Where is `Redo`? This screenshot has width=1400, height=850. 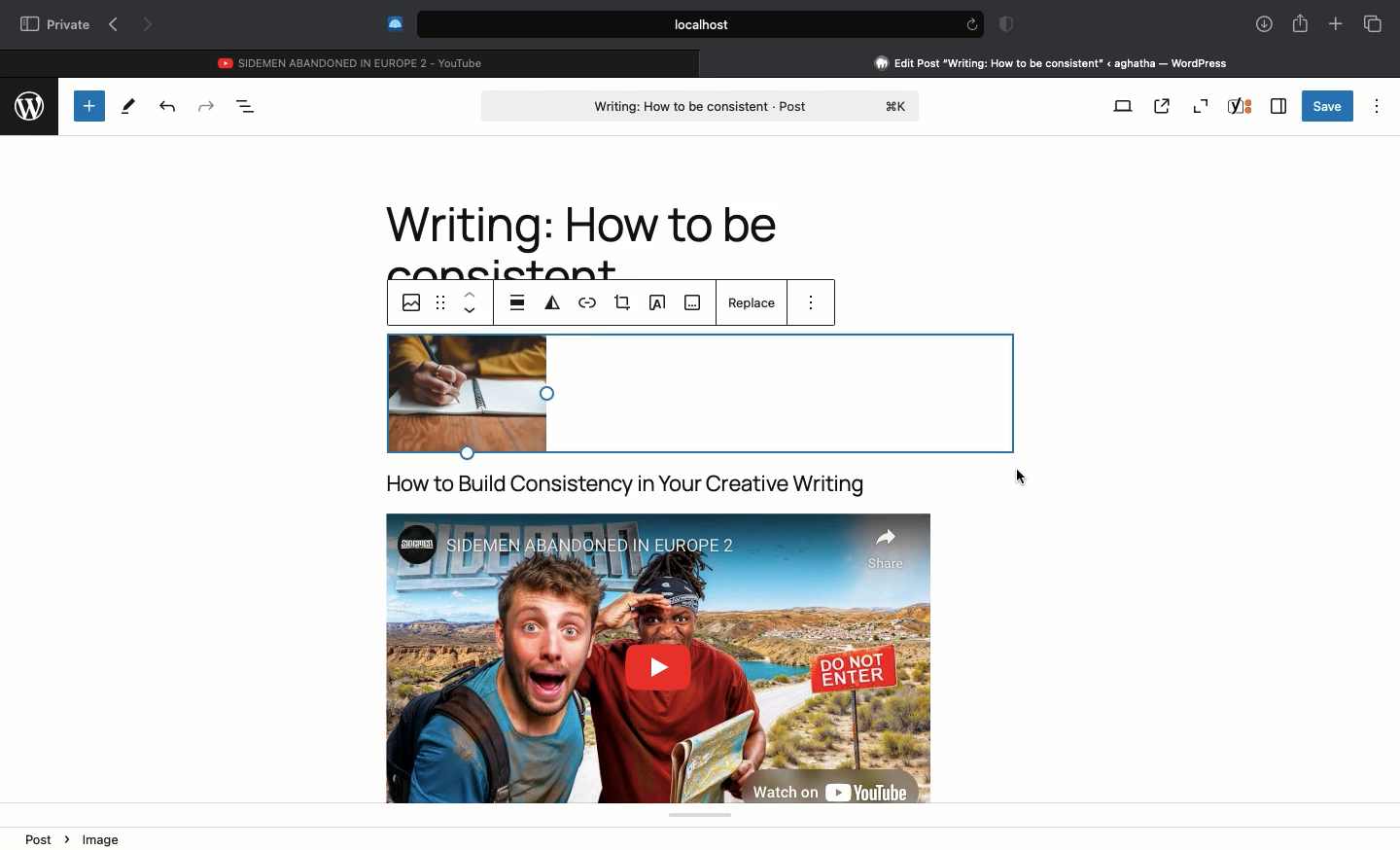 Redo is located at coordinates (206, 106).